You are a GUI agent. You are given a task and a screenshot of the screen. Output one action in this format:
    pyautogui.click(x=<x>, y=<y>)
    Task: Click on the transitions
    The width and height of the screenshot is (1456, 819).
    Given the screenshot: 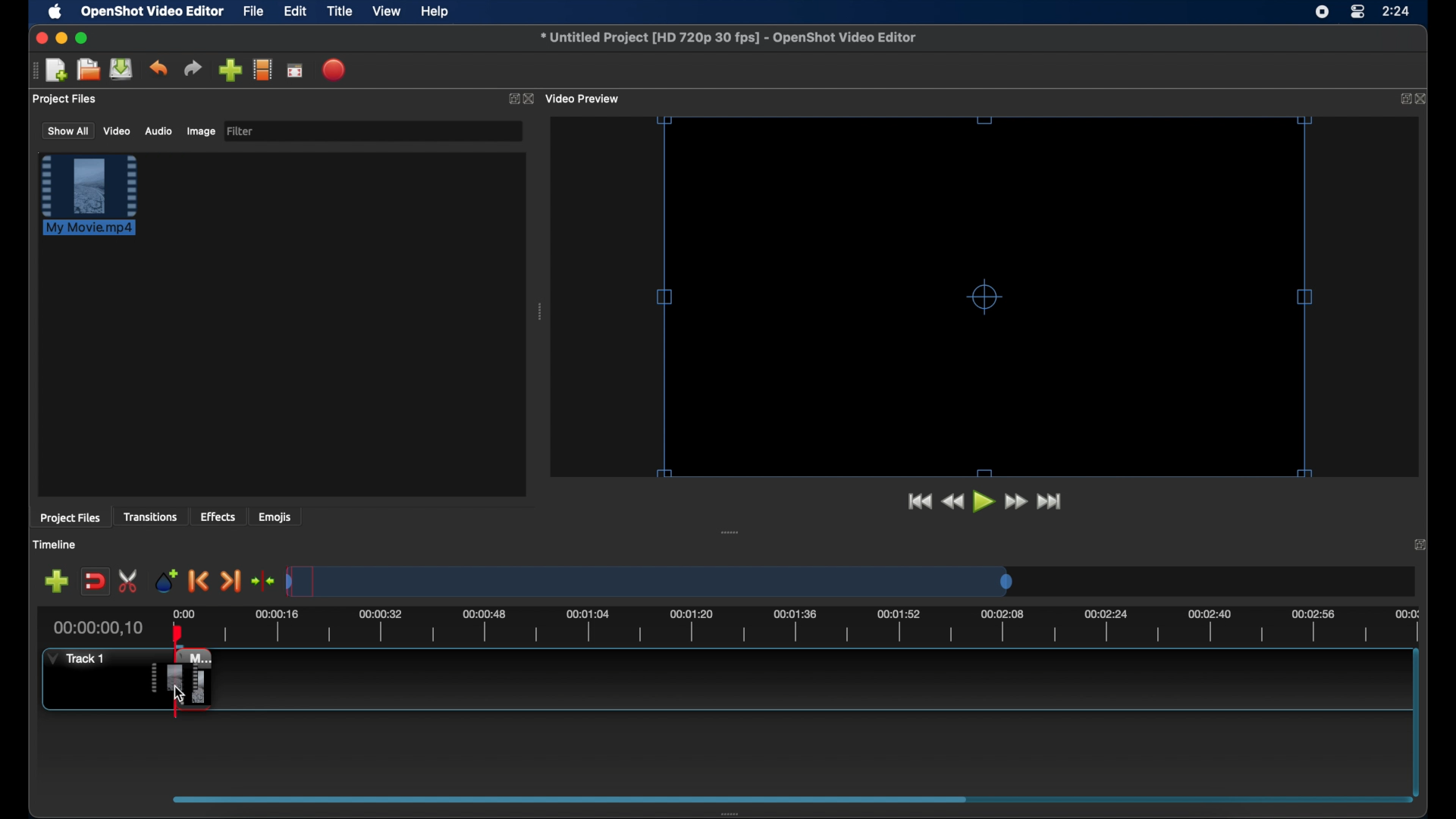 What is the action you would take?
    pyautogui.click(x=153, y=516)
    